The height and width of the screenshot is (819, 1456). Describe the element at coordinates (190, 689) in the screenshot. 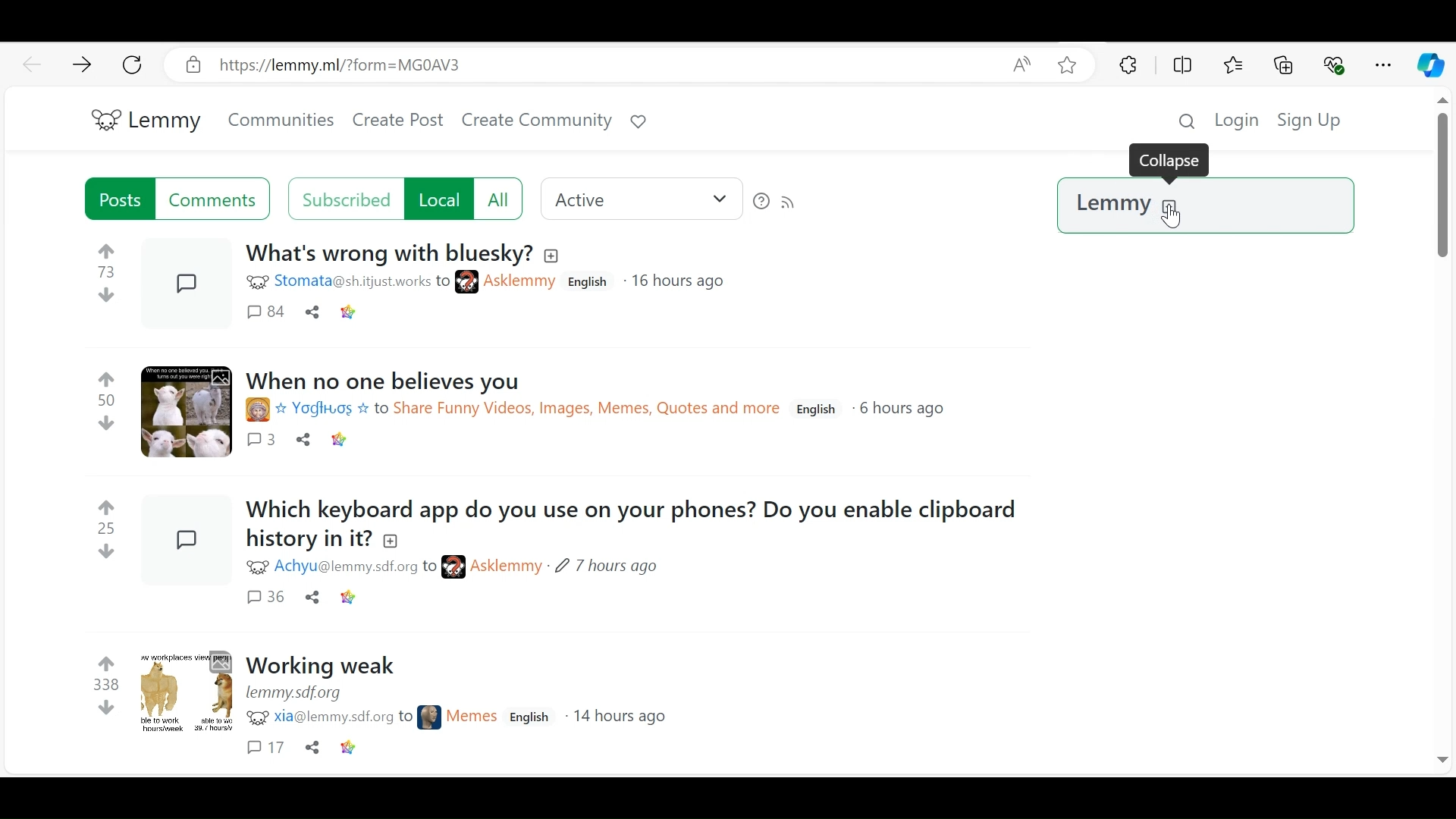

I see `Posts` at that location.